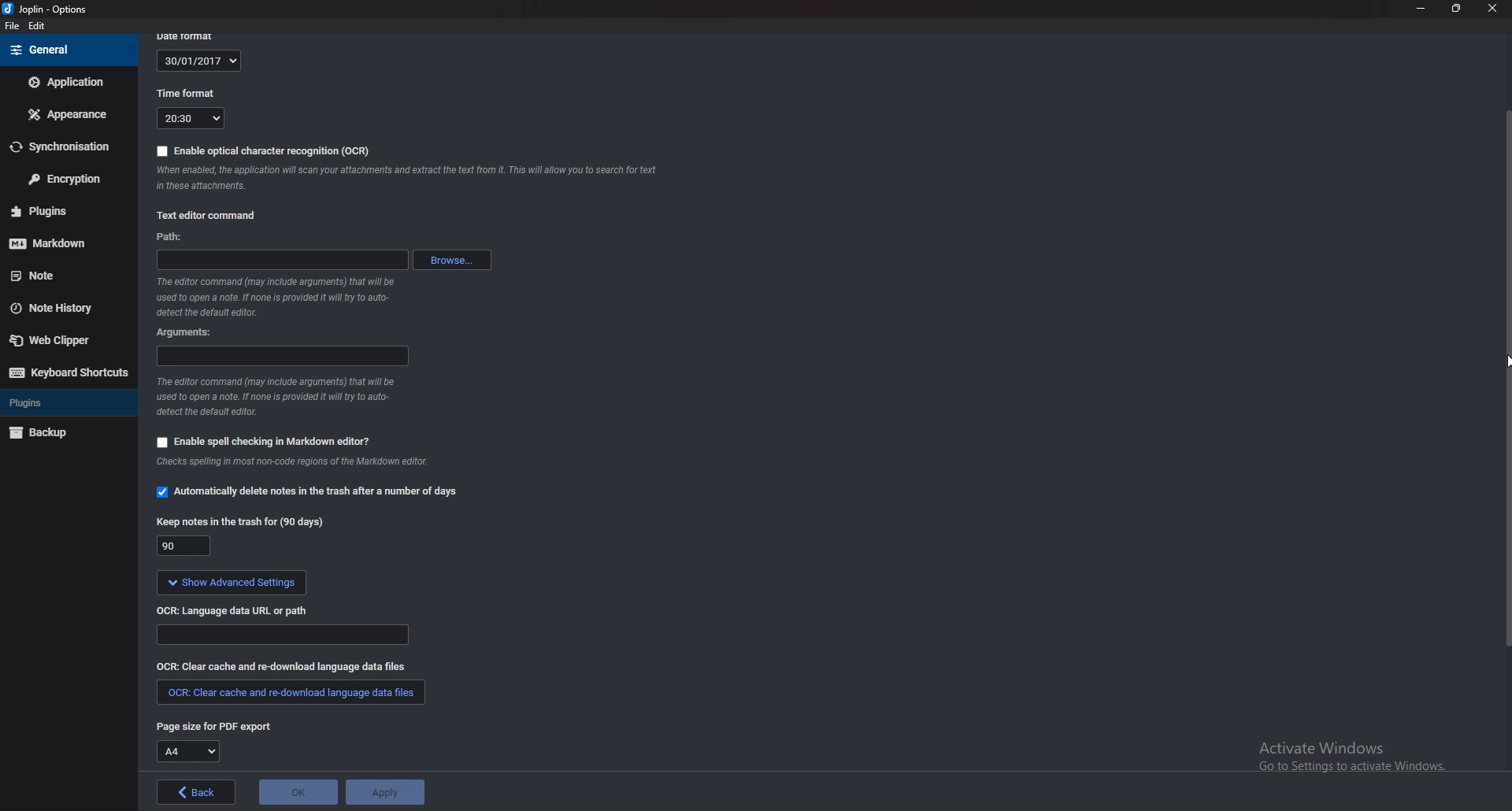 The height and width of the screenshot is (811, 1512). I want to click on date format, so click(191, 35).